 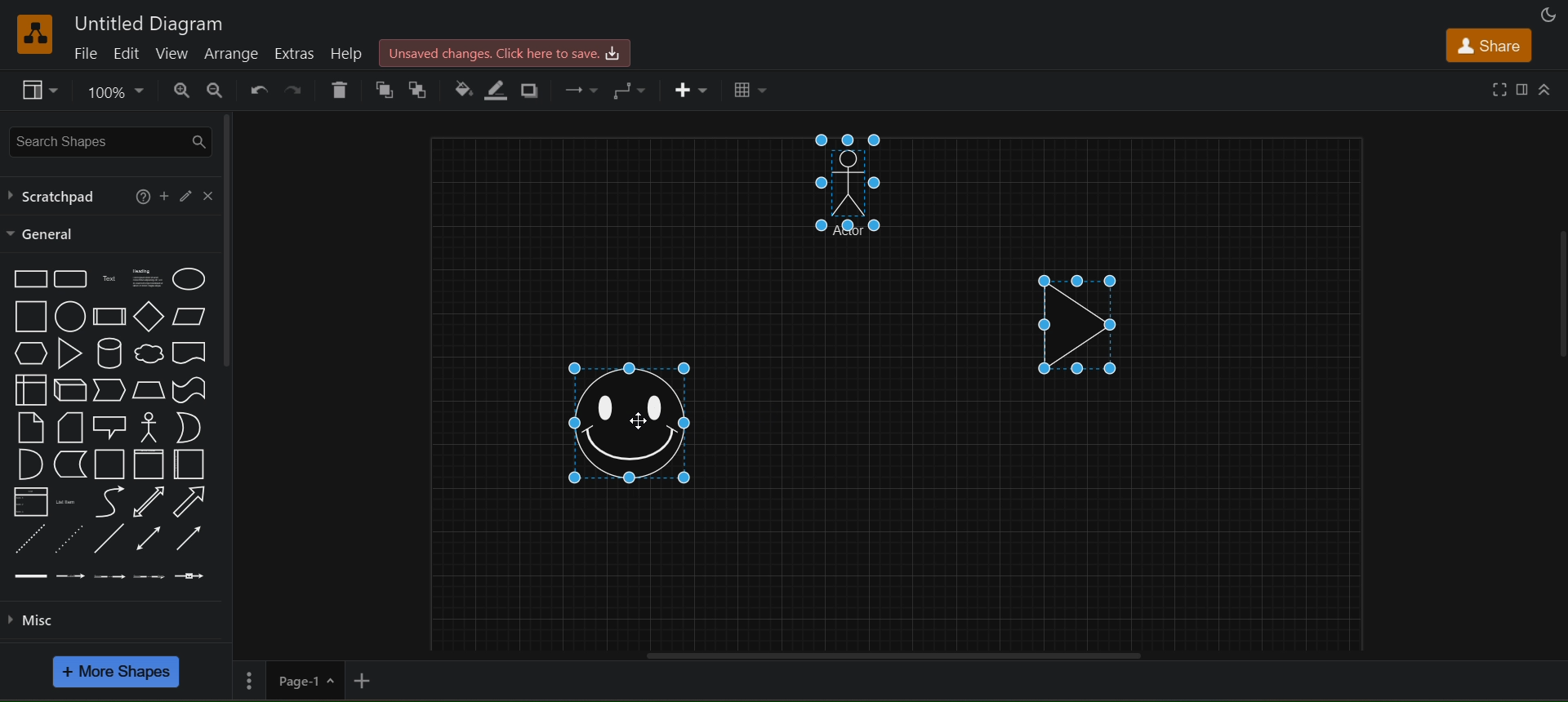 I want to click on tape, so click(x=189, y=389).